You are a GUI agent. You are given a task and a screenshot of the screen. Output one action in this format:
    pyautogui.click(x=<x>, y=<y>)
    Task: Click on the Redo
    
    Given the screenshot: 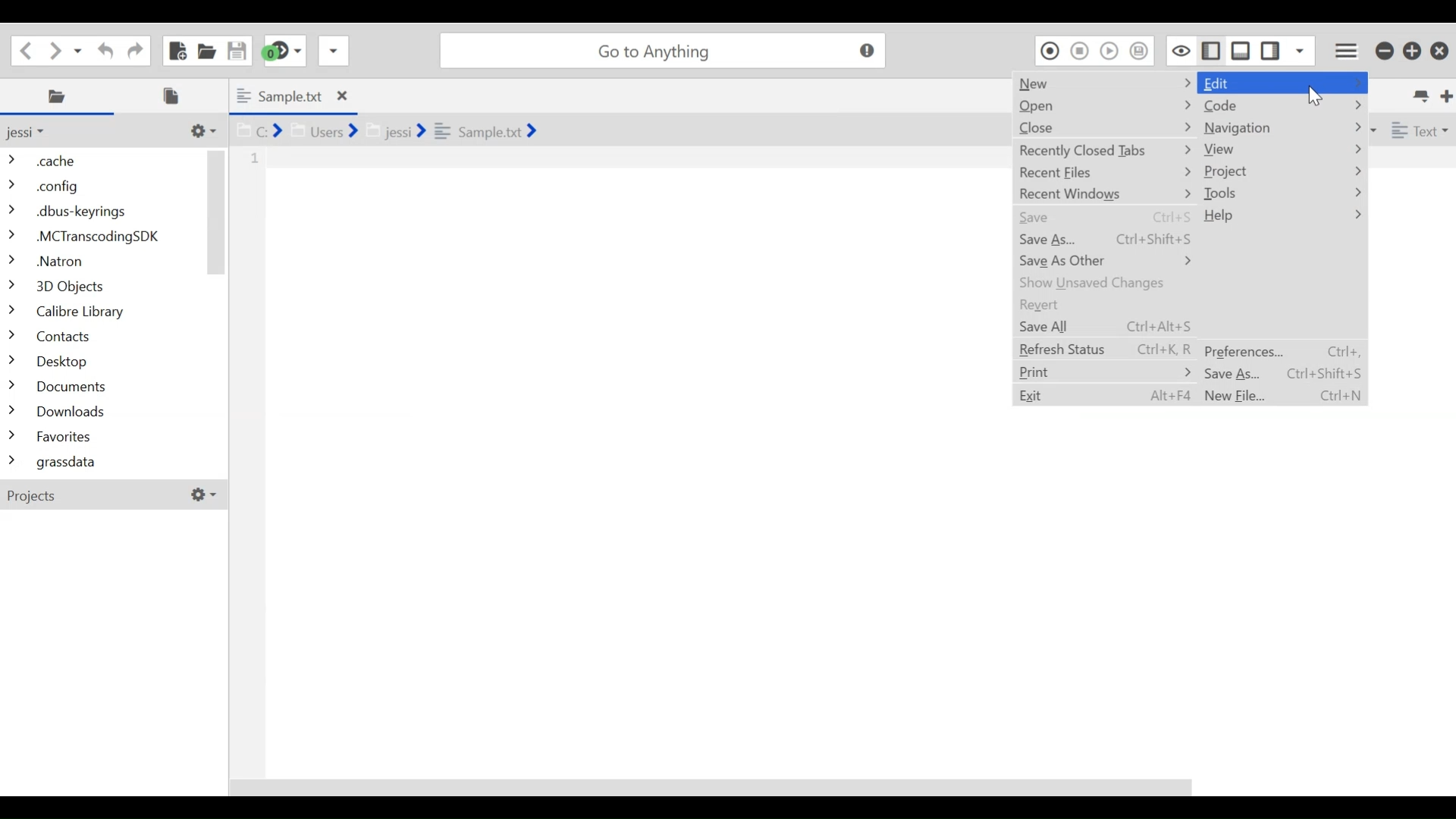 What is the action you would take?
    pyautogui.click(x=133, y=49)
    